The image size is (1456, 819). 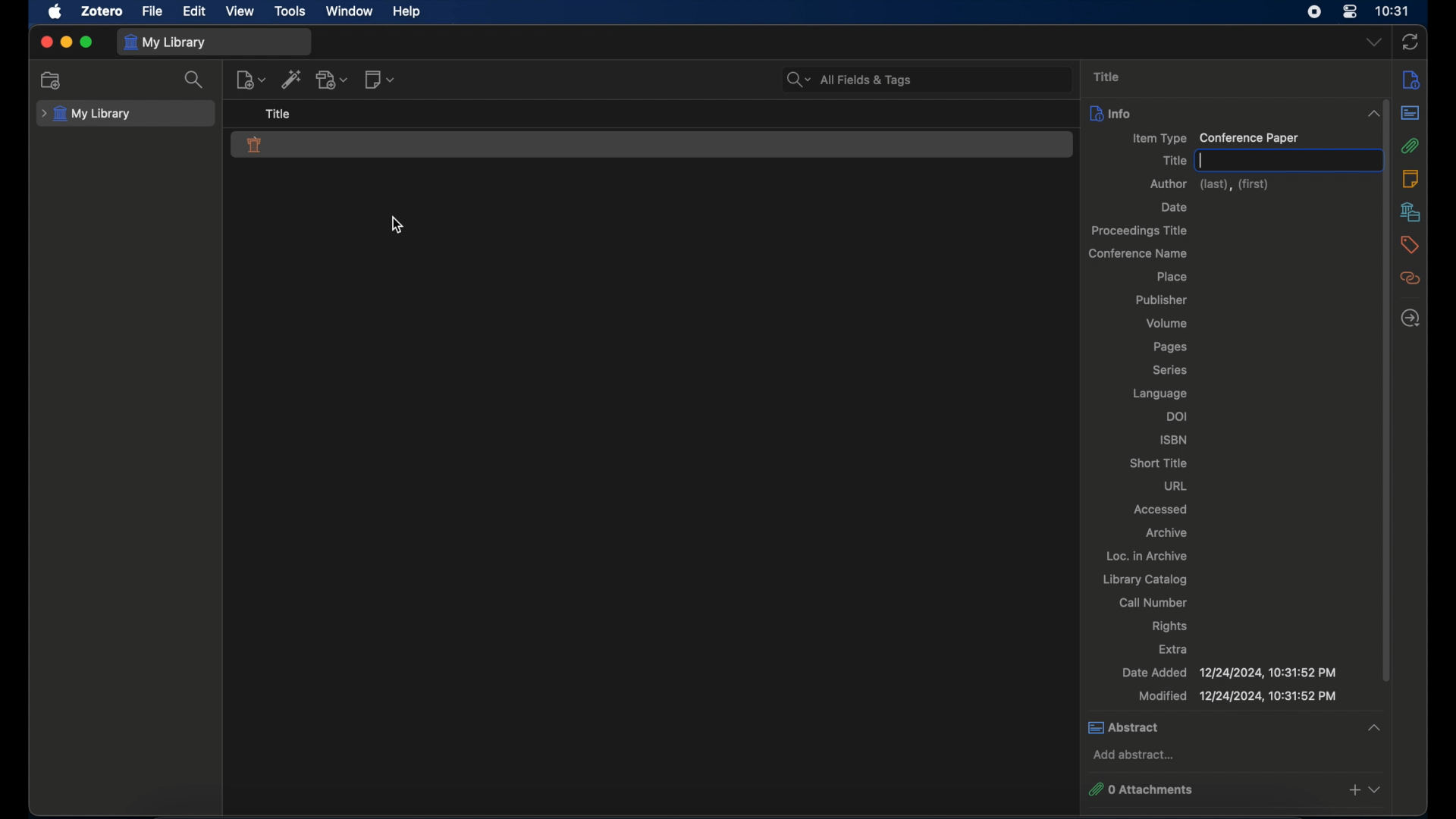 I want to click on close, so click(x=45, y=43).